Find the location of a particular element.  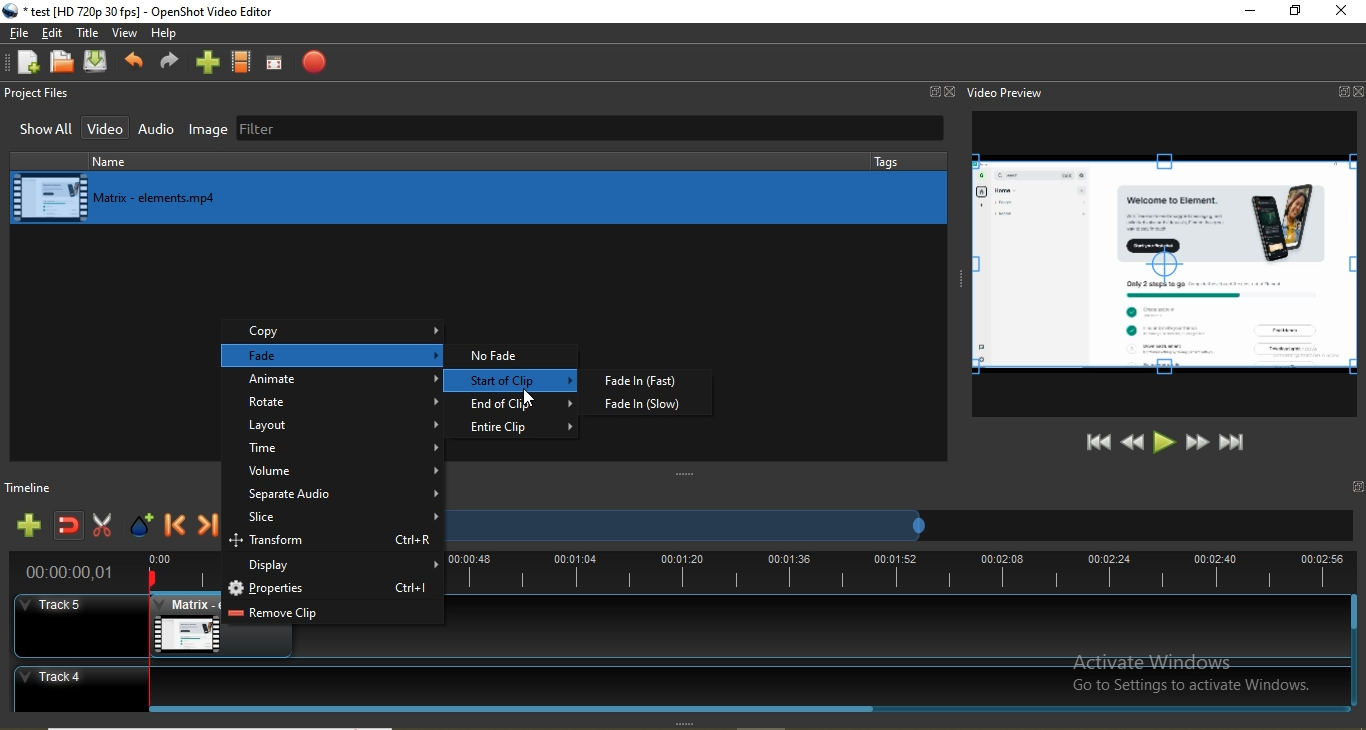

Vertical Scroll bar  is located at coordinates (1357, 652).